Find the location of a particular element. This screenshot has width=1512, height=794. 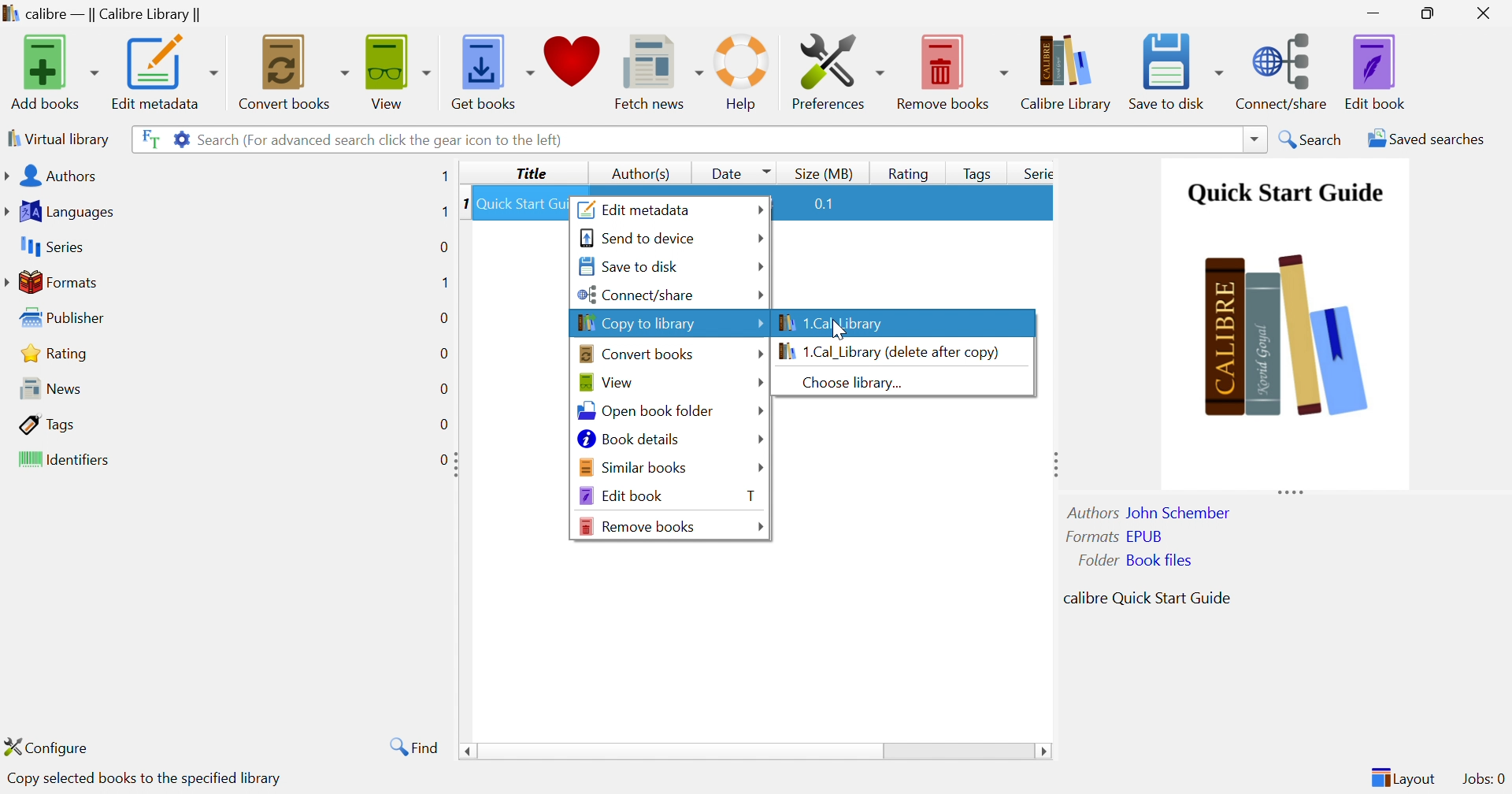

Authors is located at coordinates (50, 175).